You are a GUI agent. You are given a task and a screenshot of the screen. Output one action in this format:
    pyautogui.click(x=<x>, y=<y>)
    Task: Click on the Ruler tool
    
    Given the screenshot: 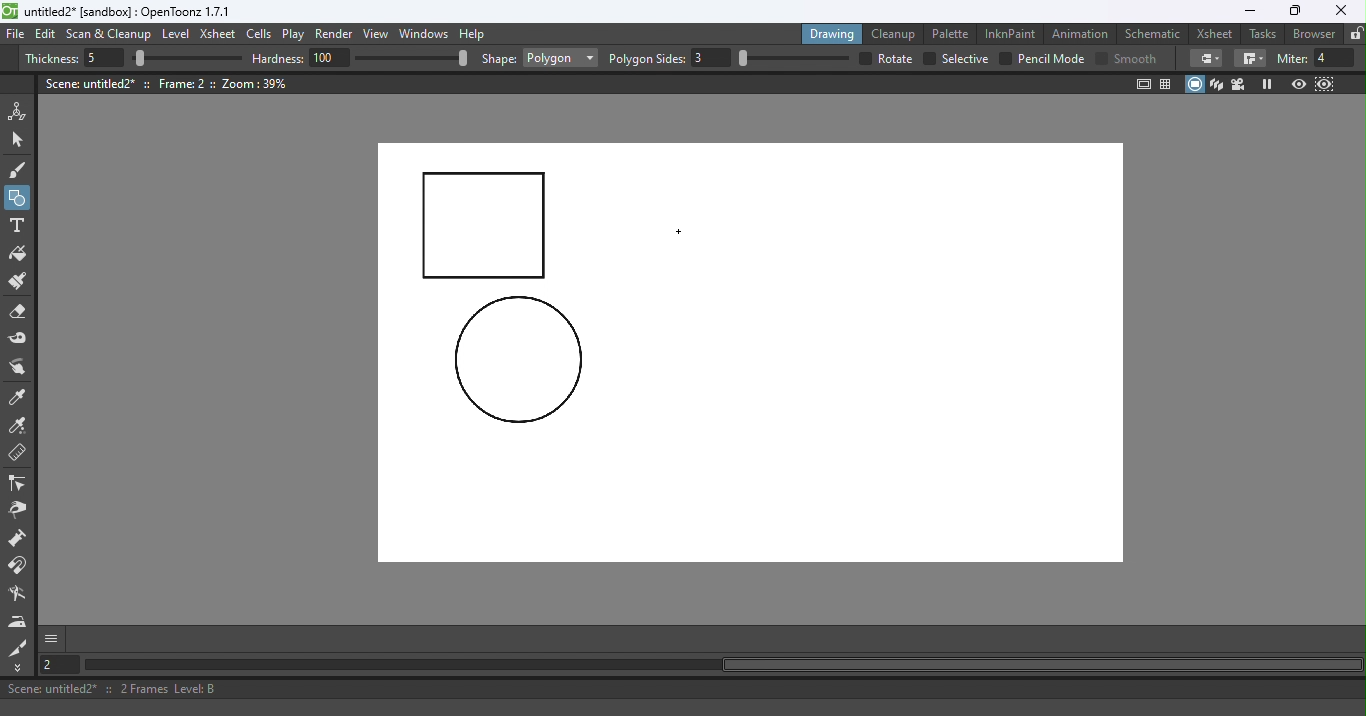 What is the action you would take?
    pyautogui.click(x=18, y=455)
    